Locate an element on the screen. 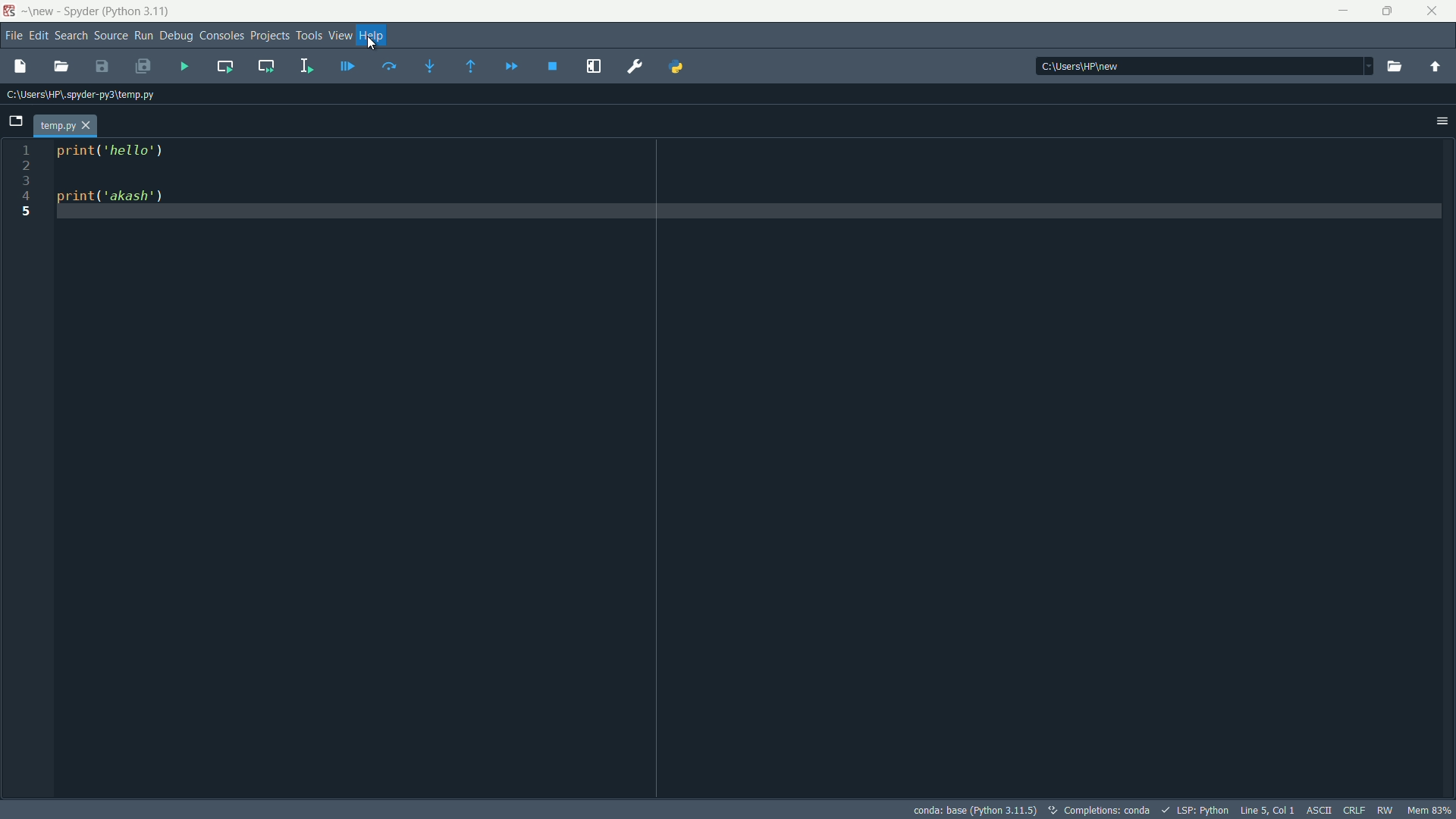  python 3.11 is located at coordinates (140, 11).